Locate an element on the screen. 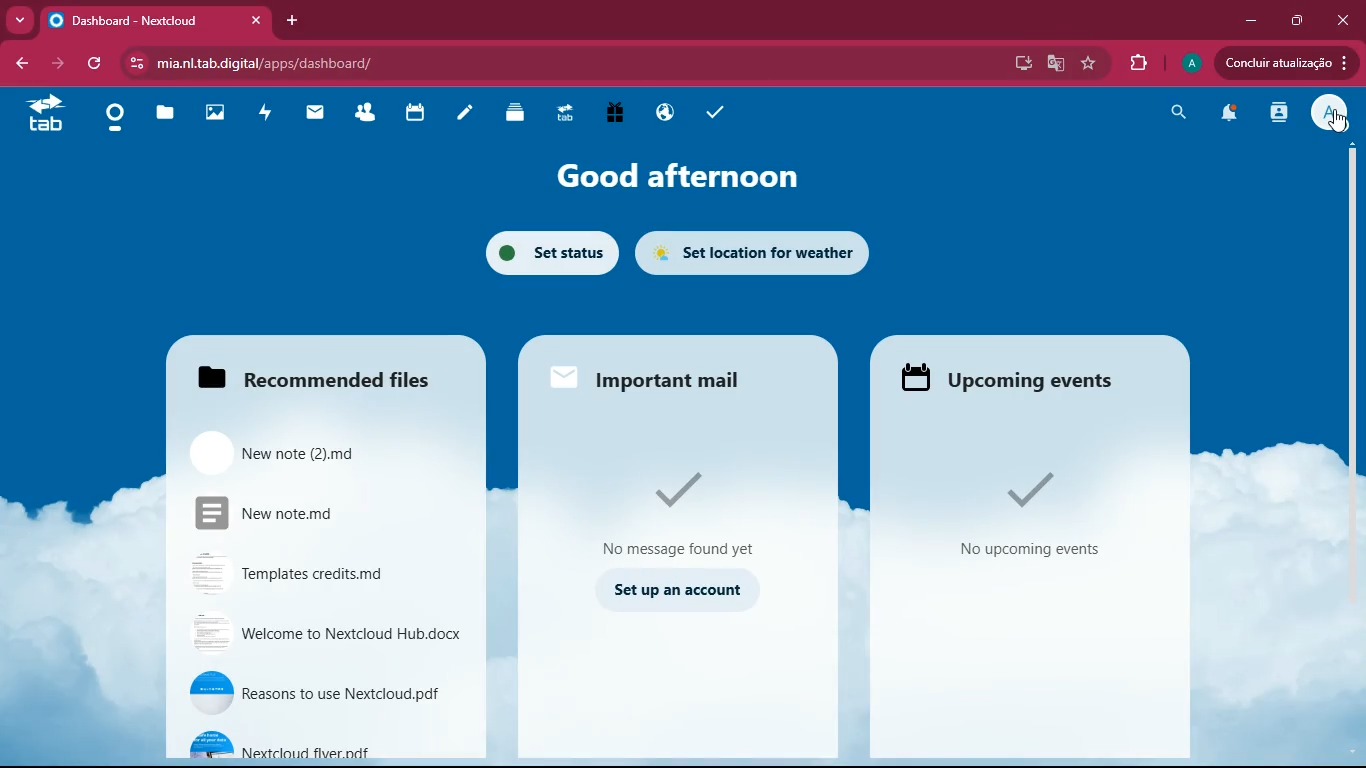  notifications is located at coordinates (1233, 115).